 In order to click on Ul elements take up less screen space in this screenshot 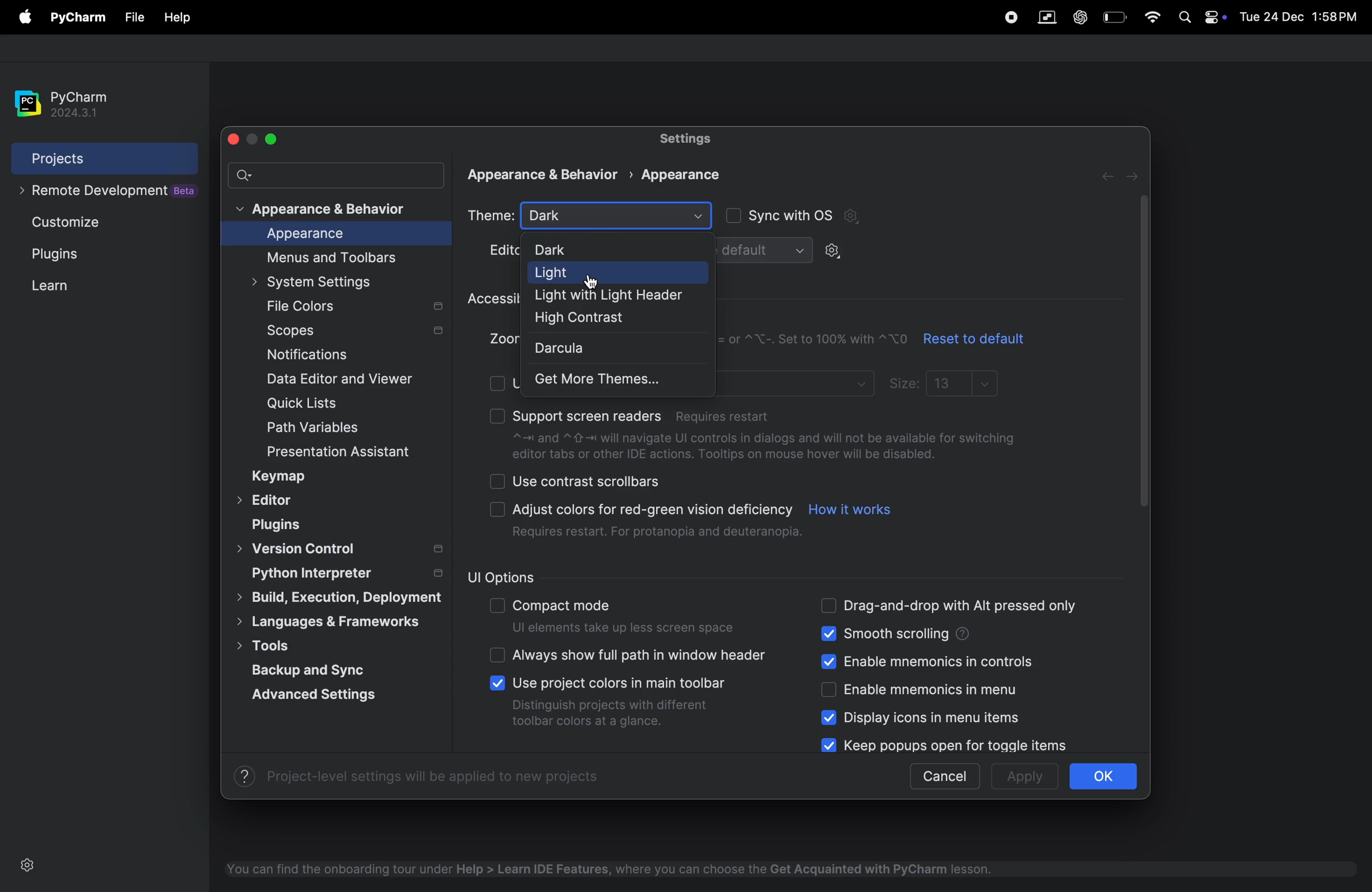, I will do `click(632, 629)`.